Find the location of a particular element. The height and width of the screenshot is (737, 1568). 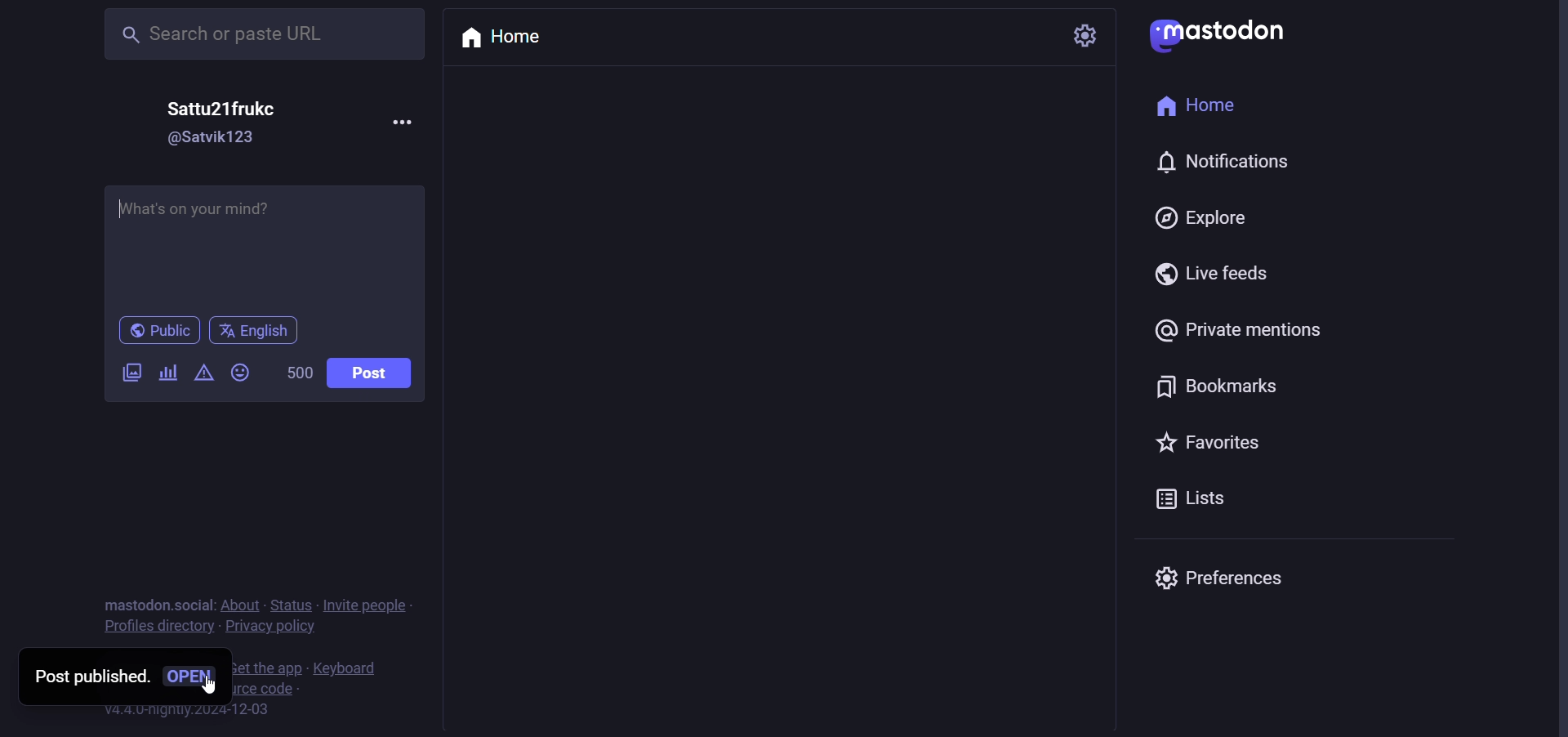

home is located at coordinates (1194, 106).